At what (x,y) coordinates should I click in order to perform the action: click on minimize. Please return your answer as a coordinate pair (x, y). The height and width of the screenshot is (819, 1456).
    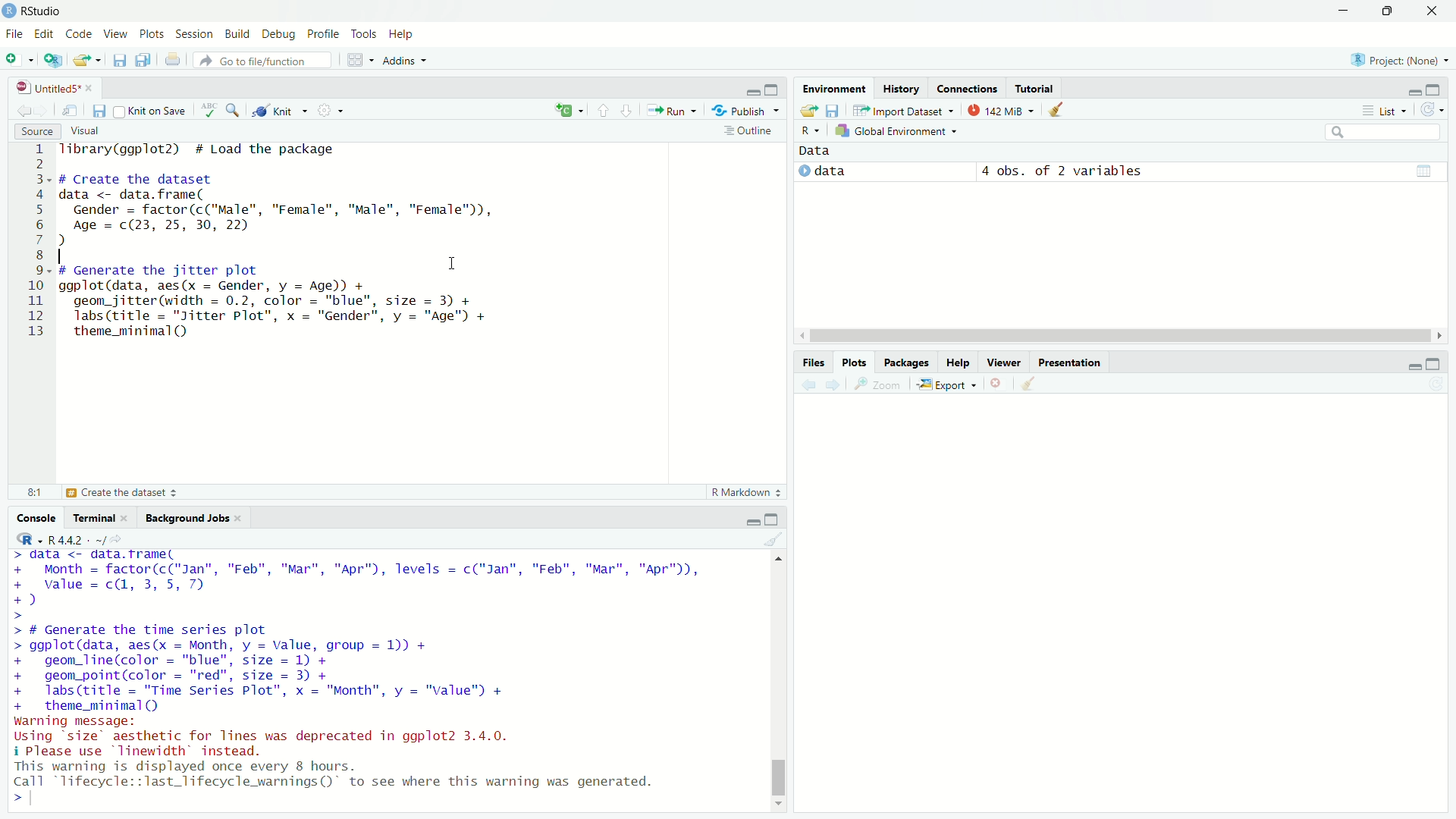
    Looking at the image, I should click on (1412, 88).